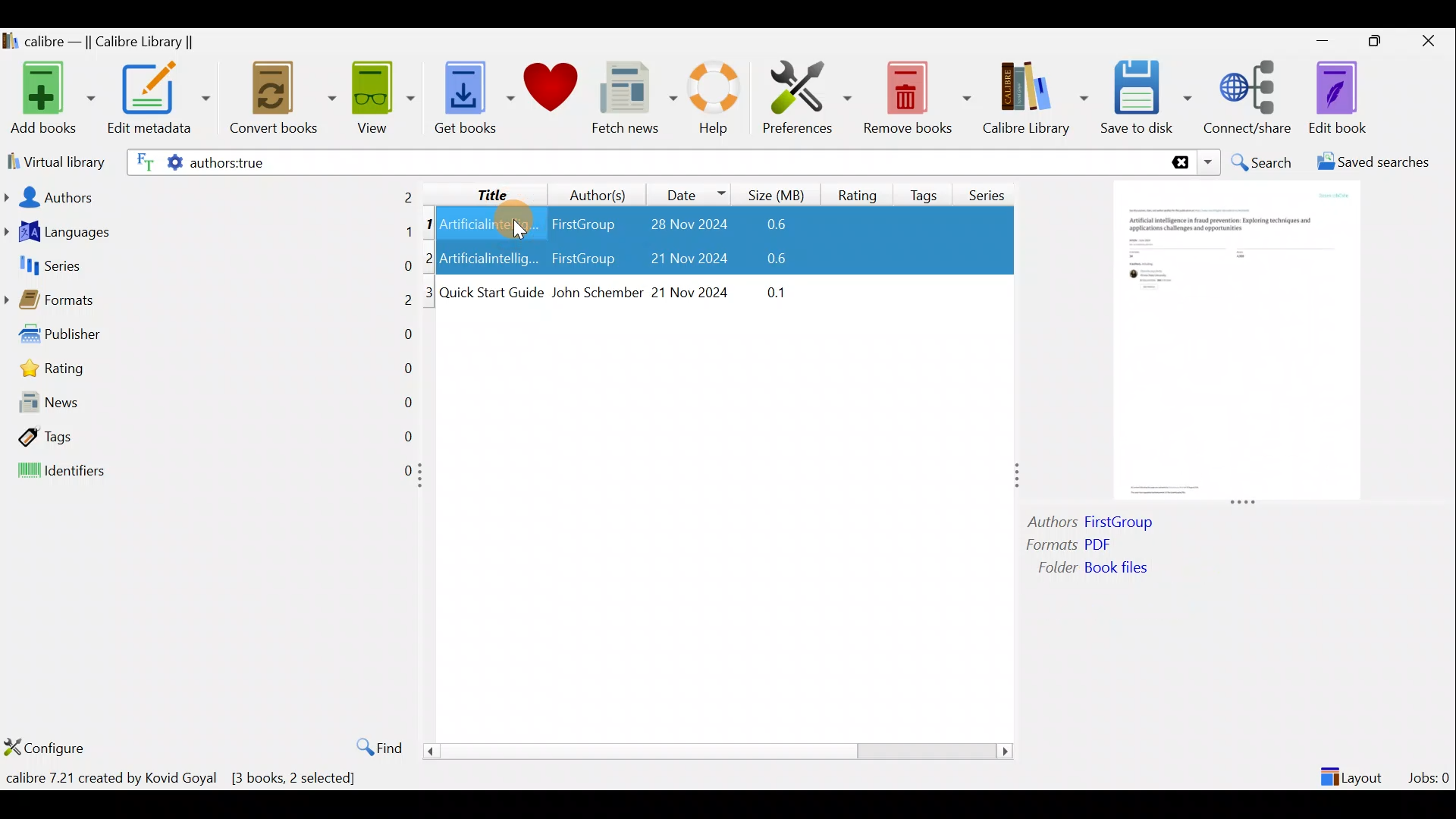  Describe the element at coordinates (591, 191) in the screenshot. I see `Author(s)` at that location.